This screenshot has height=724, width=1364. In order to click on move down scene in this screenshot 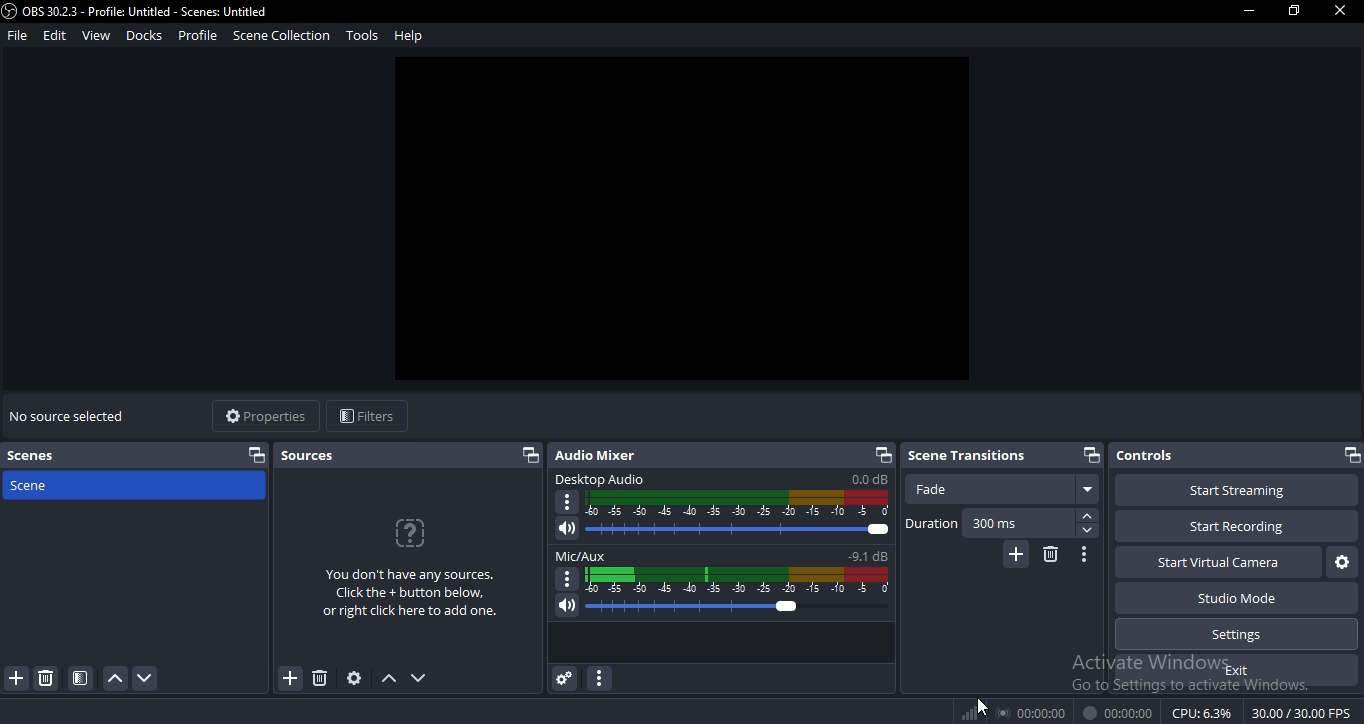, I will do `click(147, 678)`.